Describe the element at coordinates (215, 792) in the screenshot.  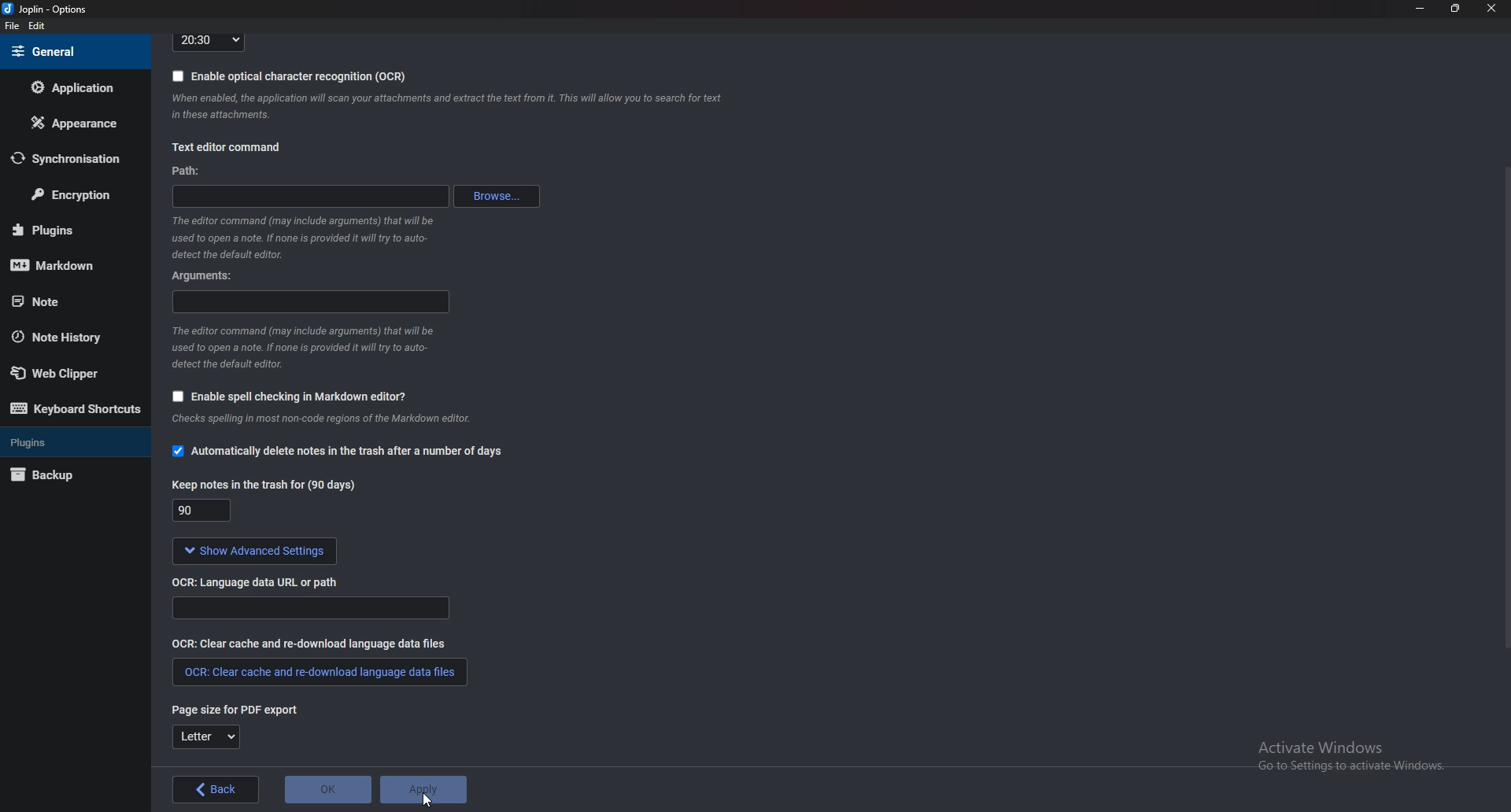
I see `Back` at that location.